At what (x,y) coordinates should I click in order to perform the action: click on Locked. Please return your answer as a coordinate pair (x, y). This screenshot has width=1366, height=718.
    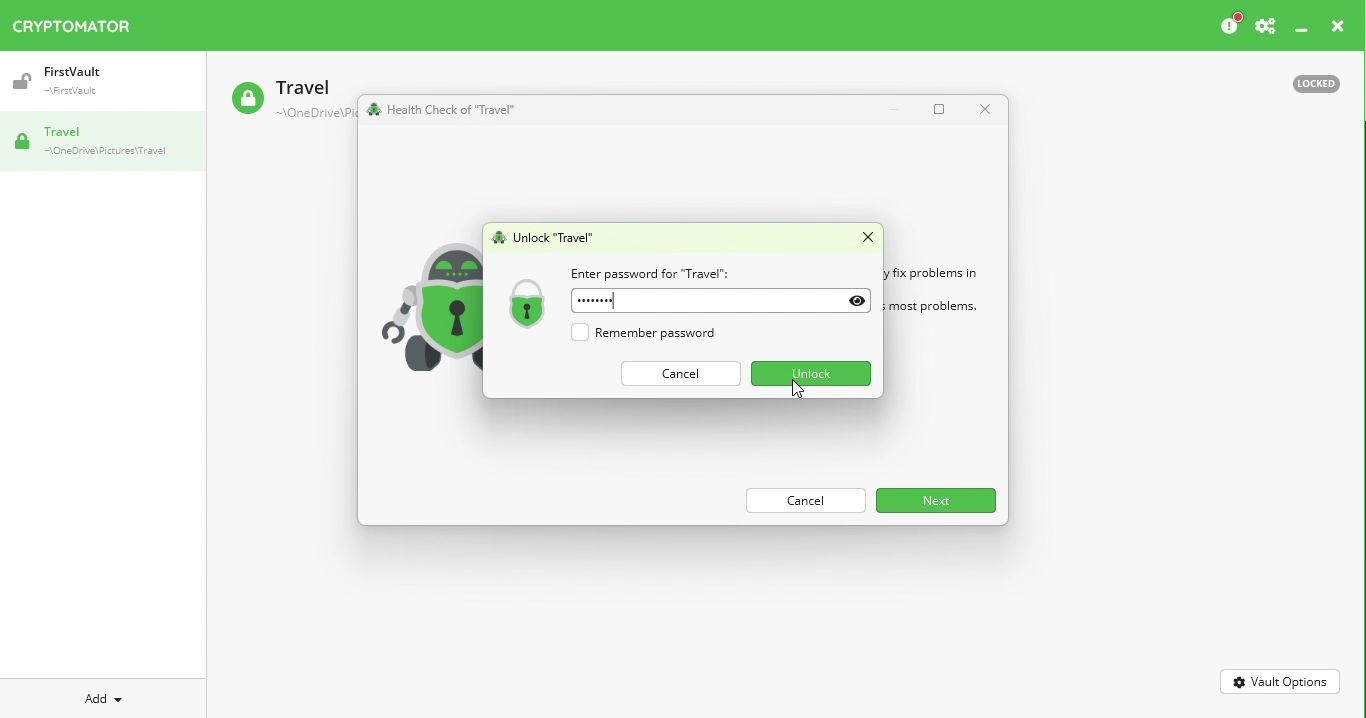
    Looking at the image, I should click on (1316, 83).